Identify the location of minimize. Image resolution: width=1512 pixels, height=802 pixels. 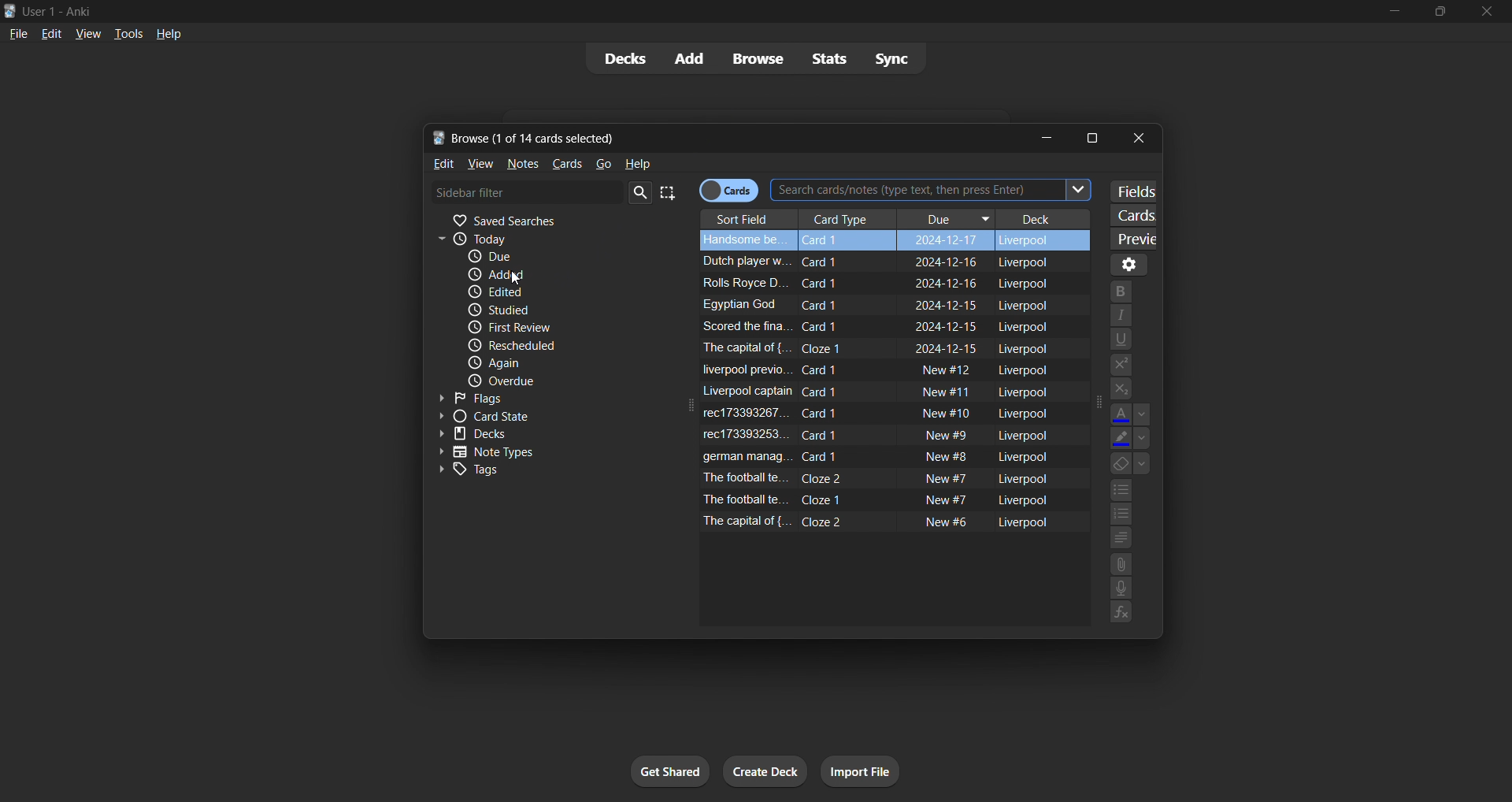
(1385, 12).